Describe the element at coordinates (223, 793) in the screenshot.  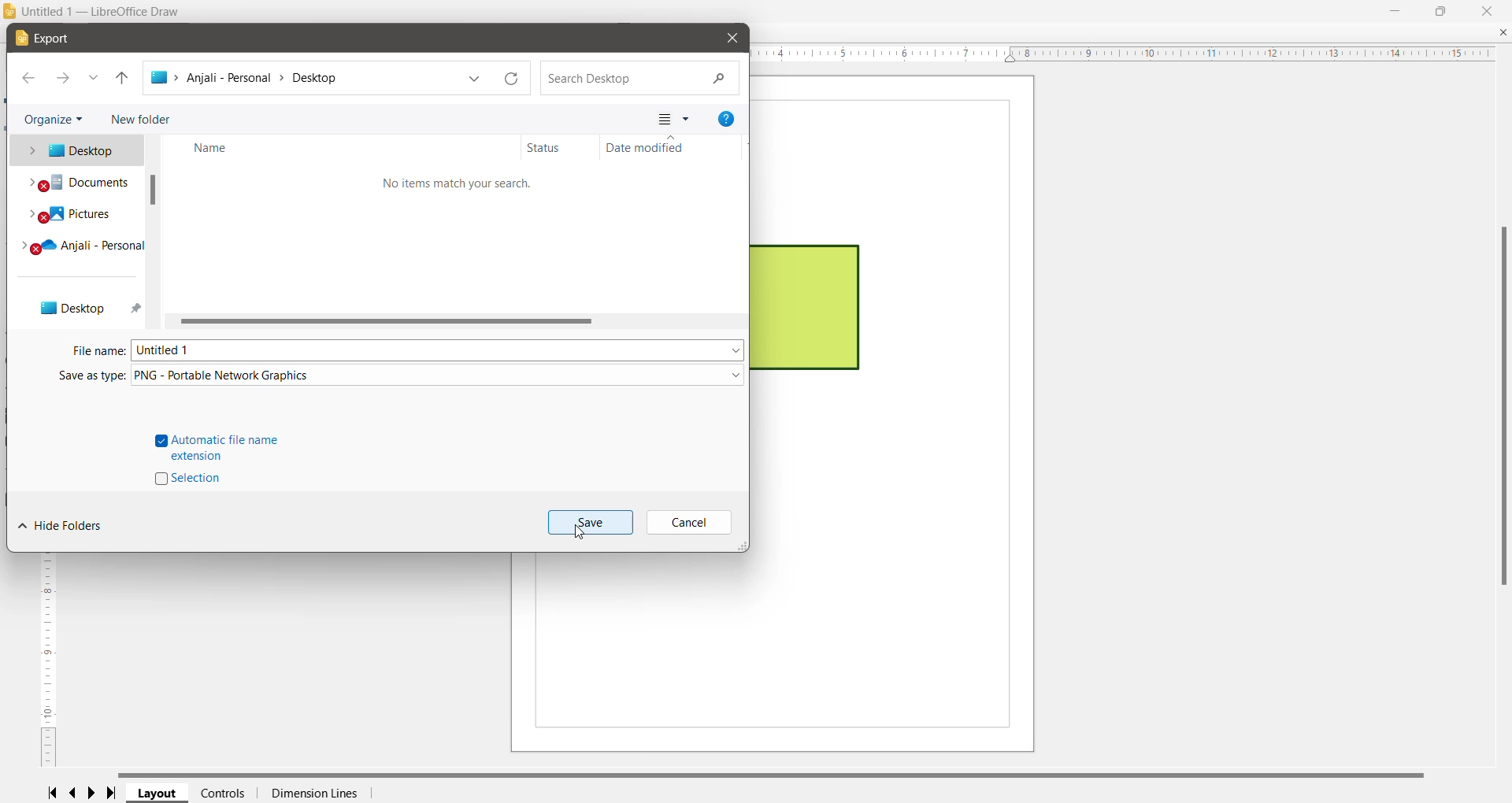
I see `Controls` at that location.